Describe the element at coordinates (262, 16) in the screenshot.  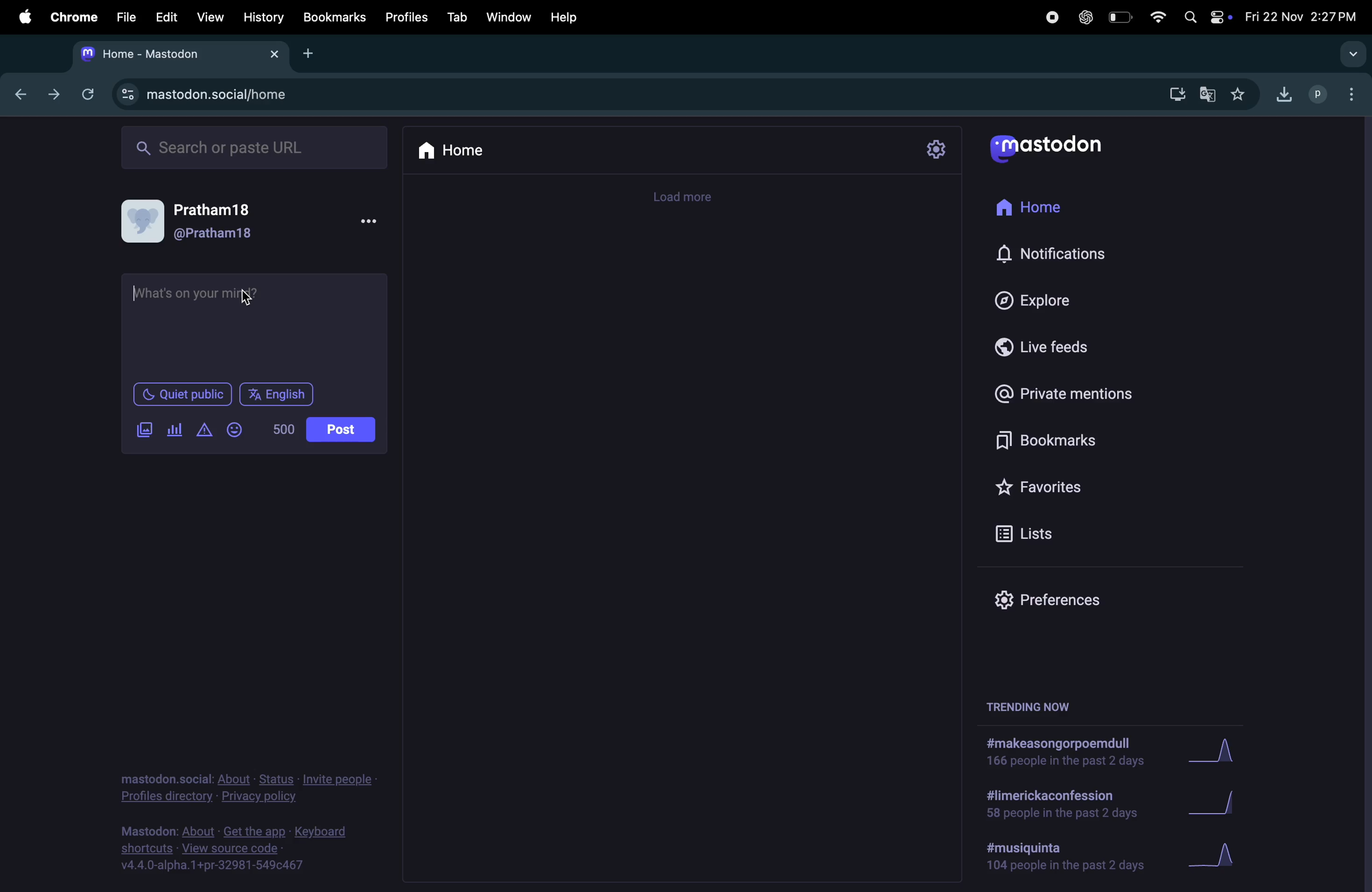
I see `history` at that location.